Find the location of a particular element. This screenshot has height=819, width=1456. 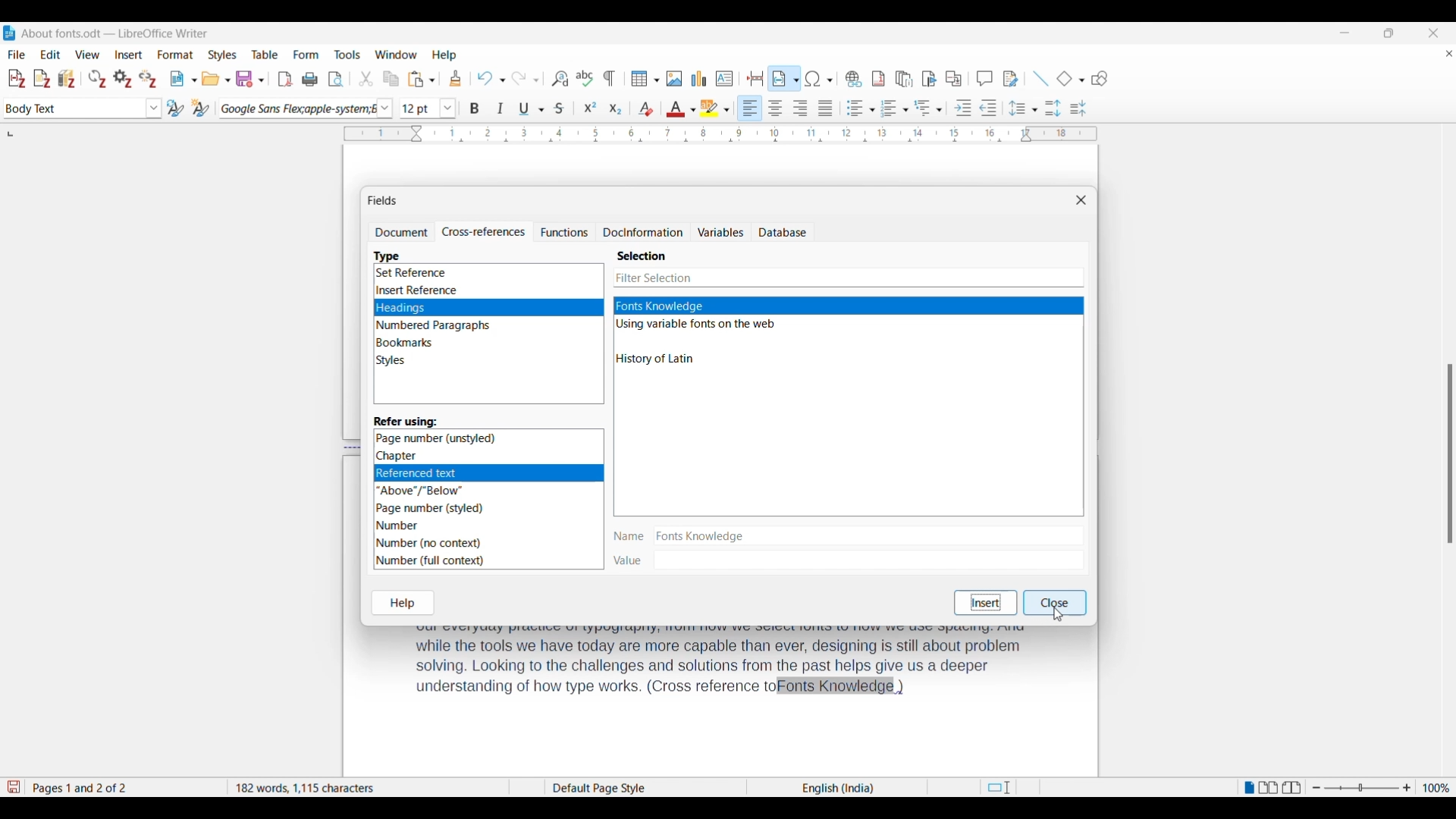

vertical scroll bar is located at coordinates (1447, 452).